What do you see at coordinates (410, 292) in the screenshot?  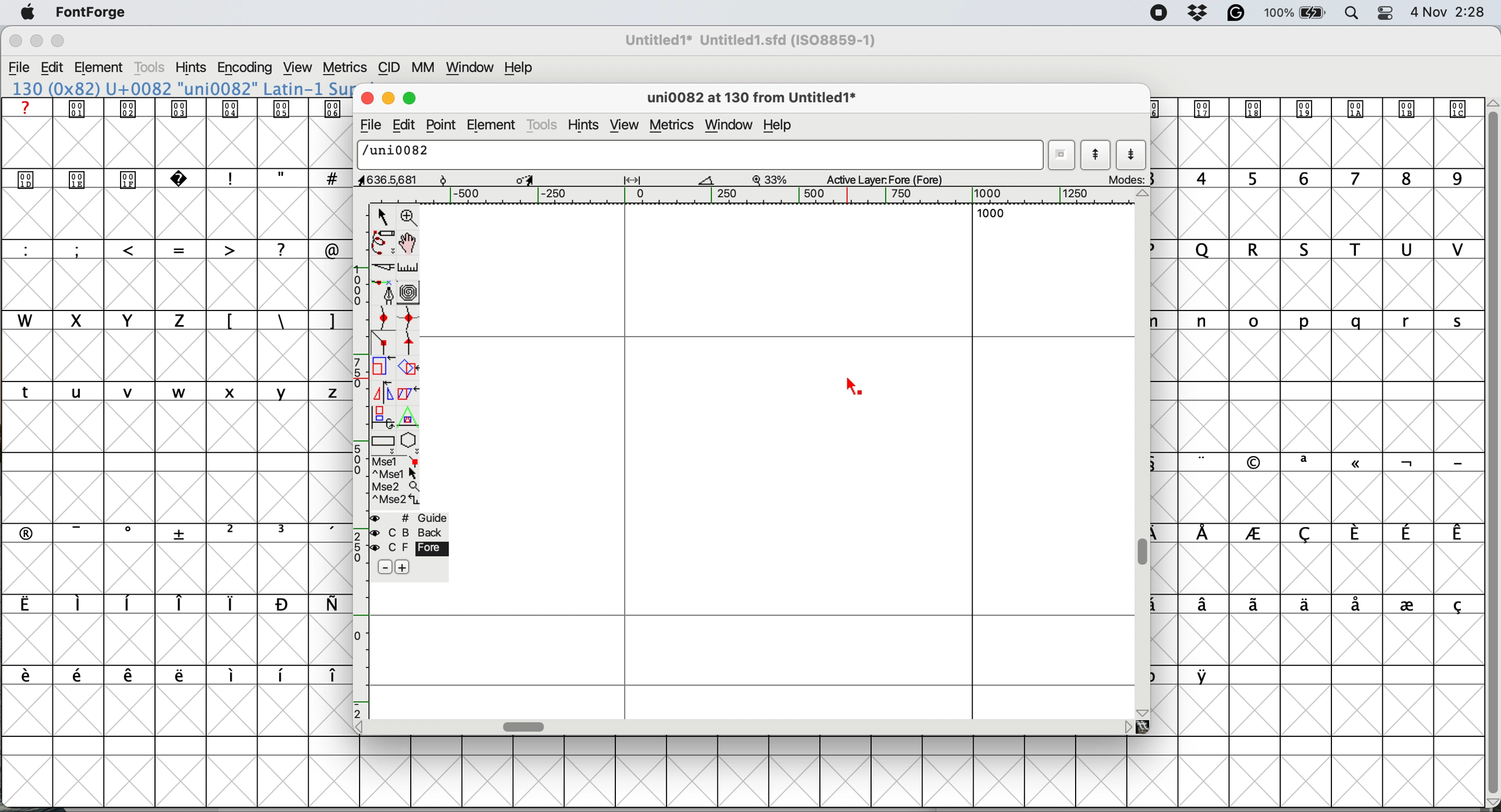 I see `change whether spiro is active or not` at bounding box center [410, 292].